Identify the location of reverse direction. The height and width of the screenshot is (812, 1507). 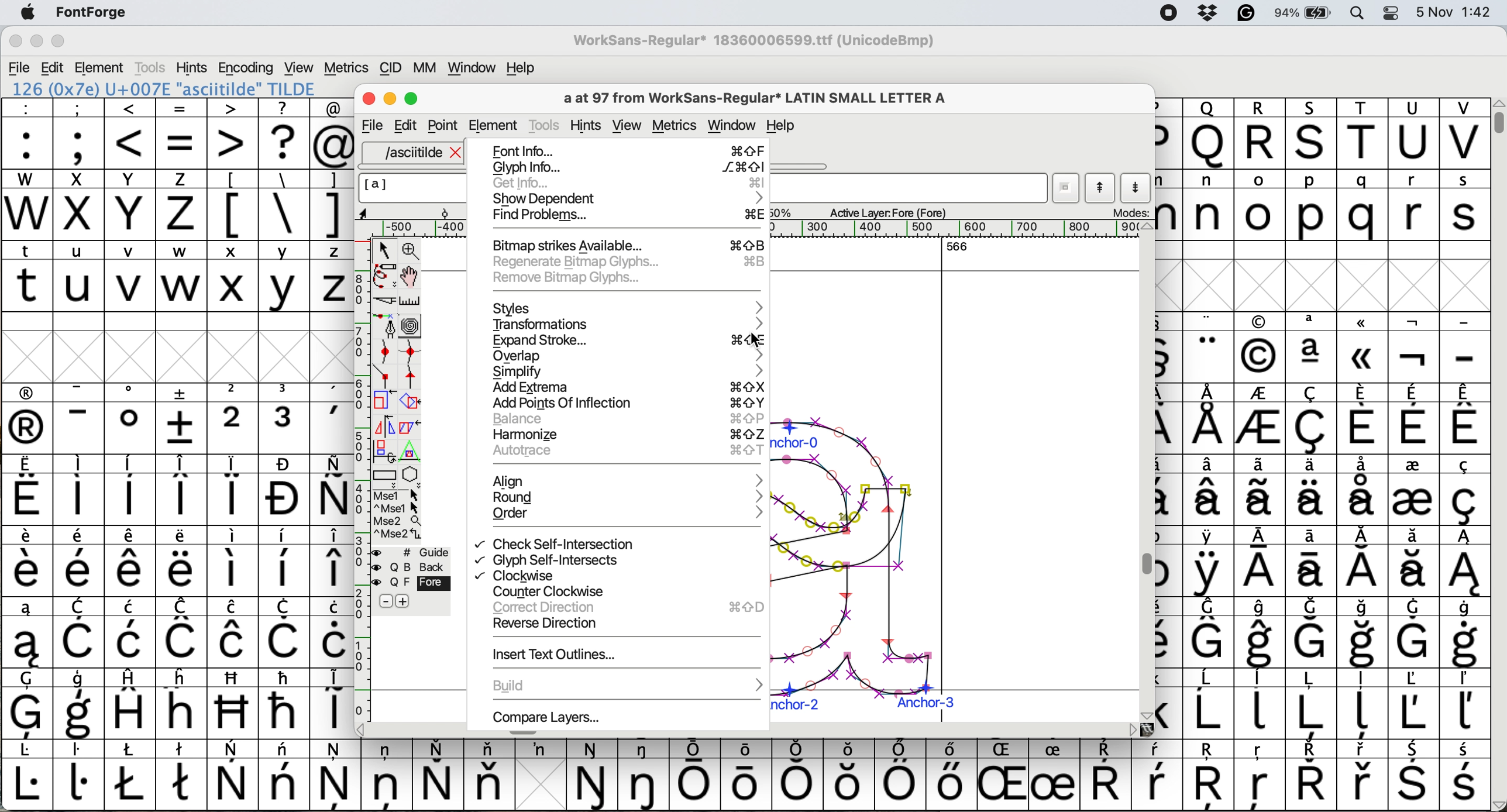
(615, 624).